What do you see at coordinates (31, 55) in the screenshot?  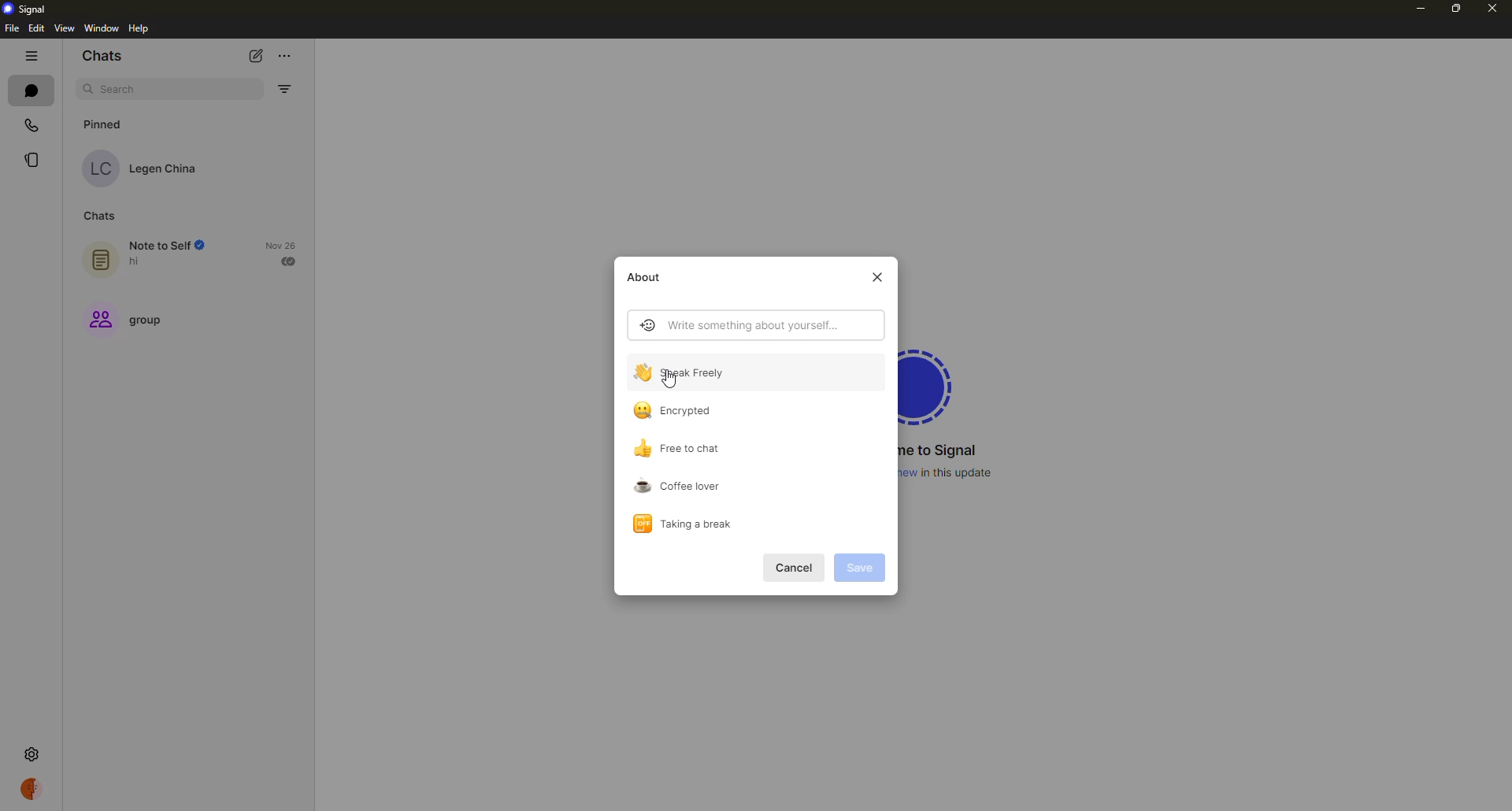 I see `hide tabs` at bounding box center [31, 55].